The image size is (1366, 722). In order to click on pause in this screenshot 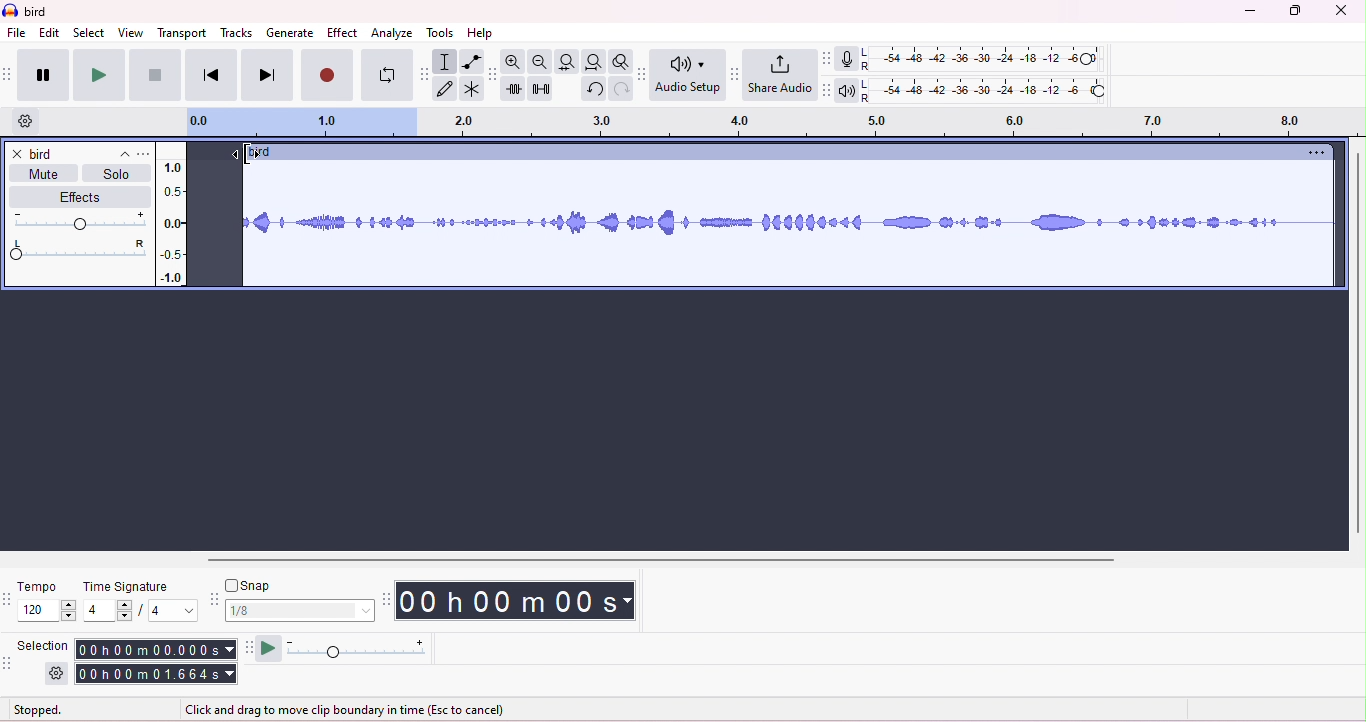, I will do `click(41, 72)`.